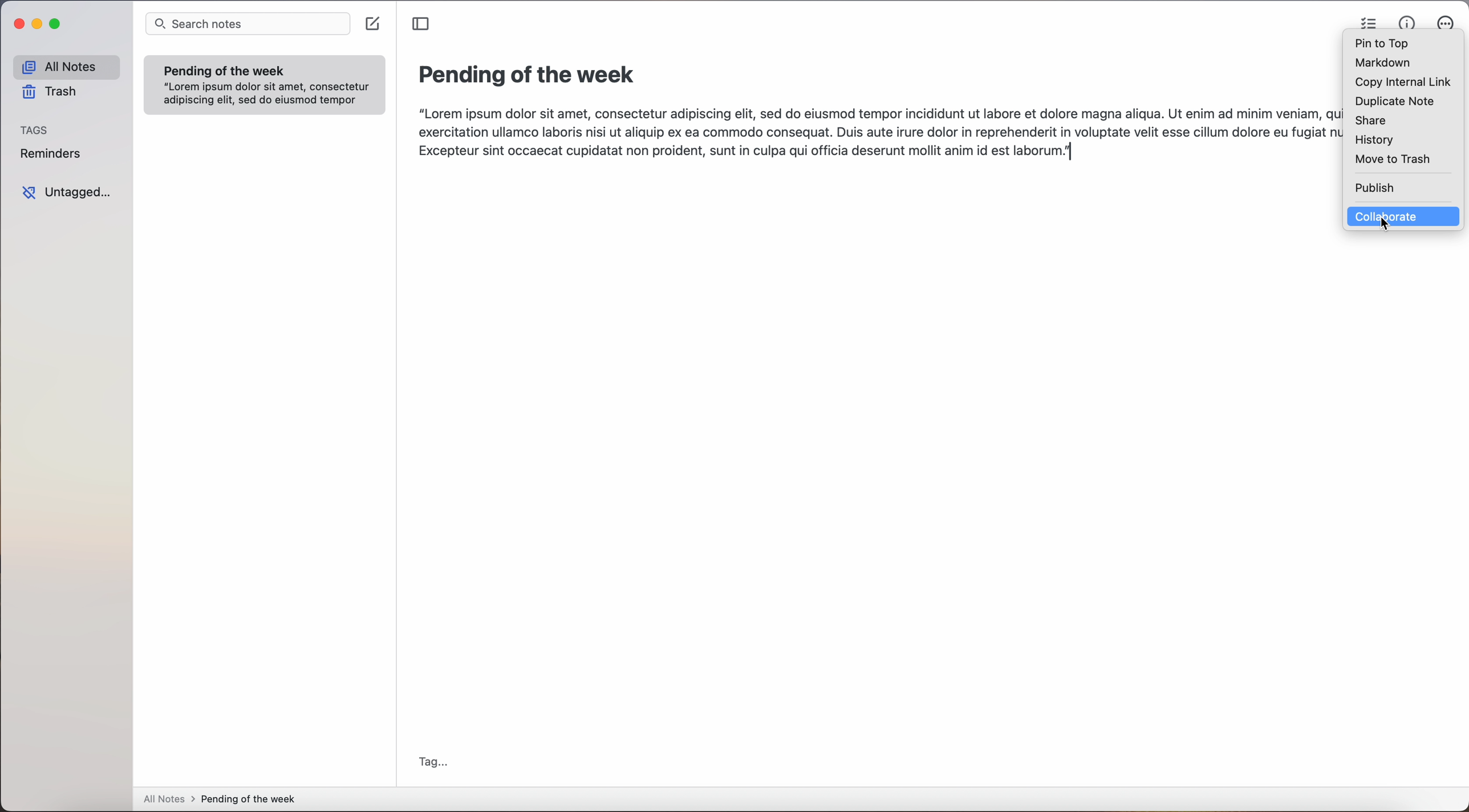  Describe the element at coordinates (38, 24) in the screenshot. I see `minimize app` at that location.